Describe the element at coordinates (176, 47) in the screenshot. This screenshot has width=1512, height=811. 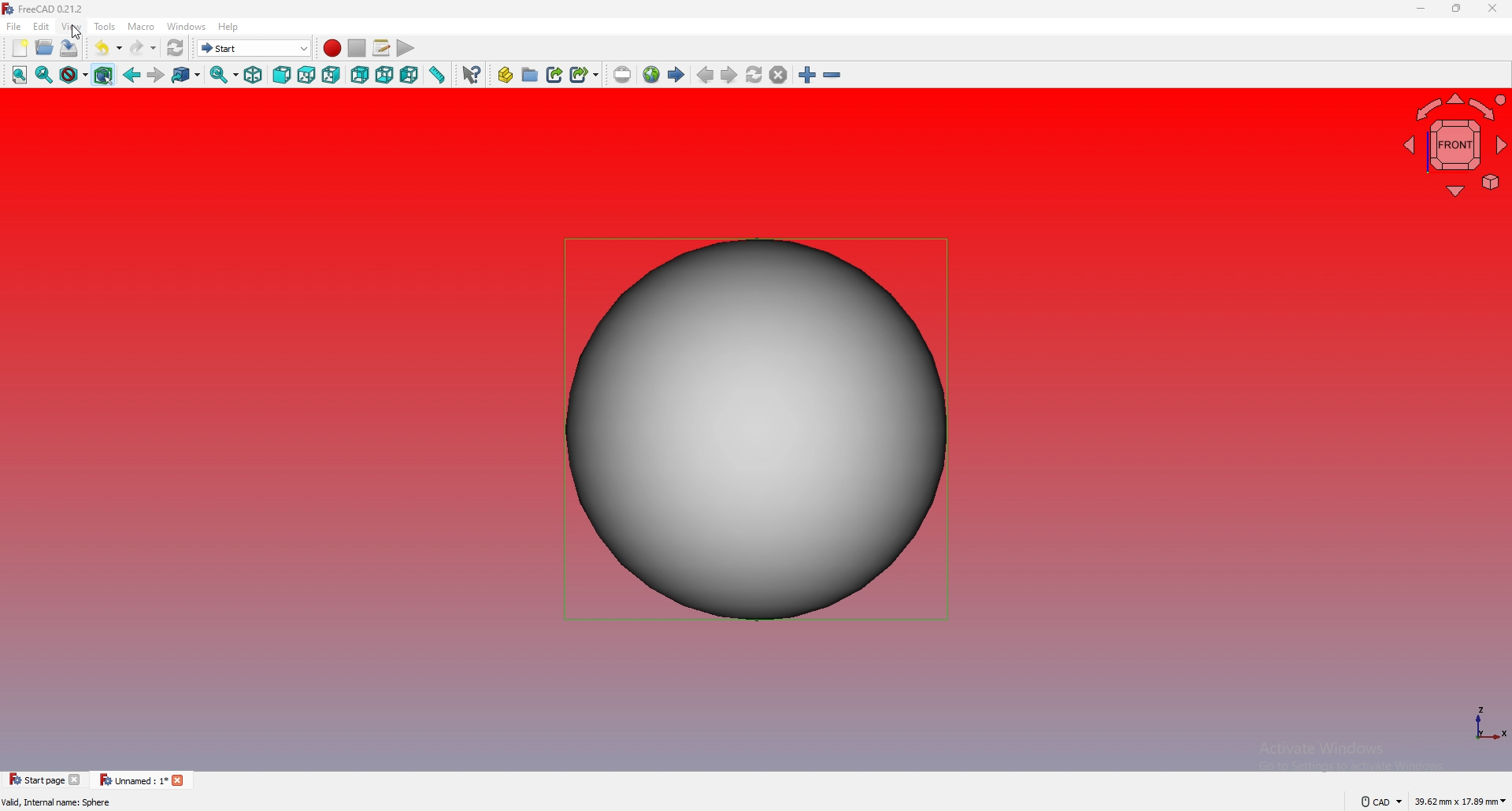
I see `refresh` at that location.